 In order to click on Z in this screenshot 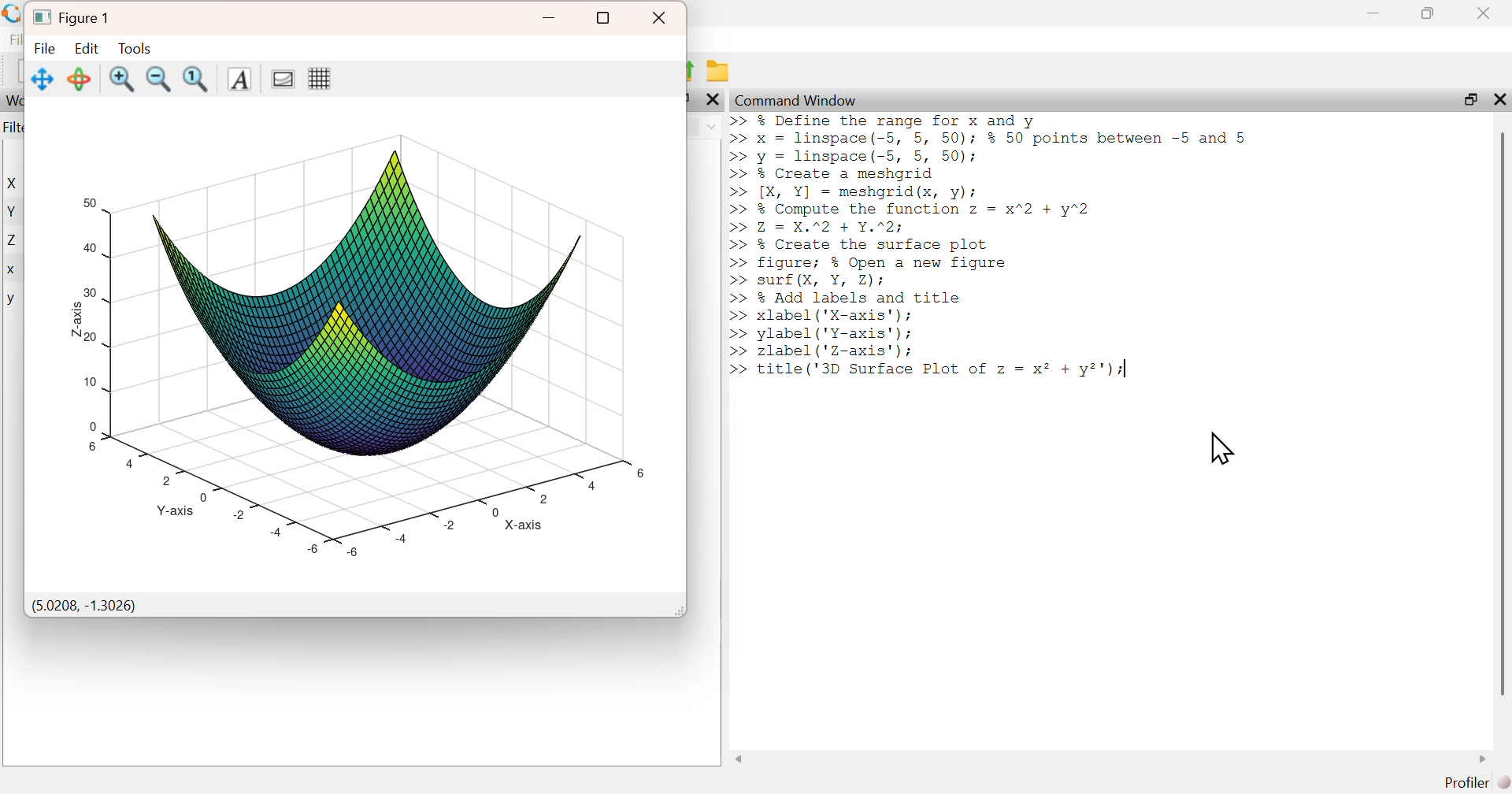, I will do `click(14, 241)`.